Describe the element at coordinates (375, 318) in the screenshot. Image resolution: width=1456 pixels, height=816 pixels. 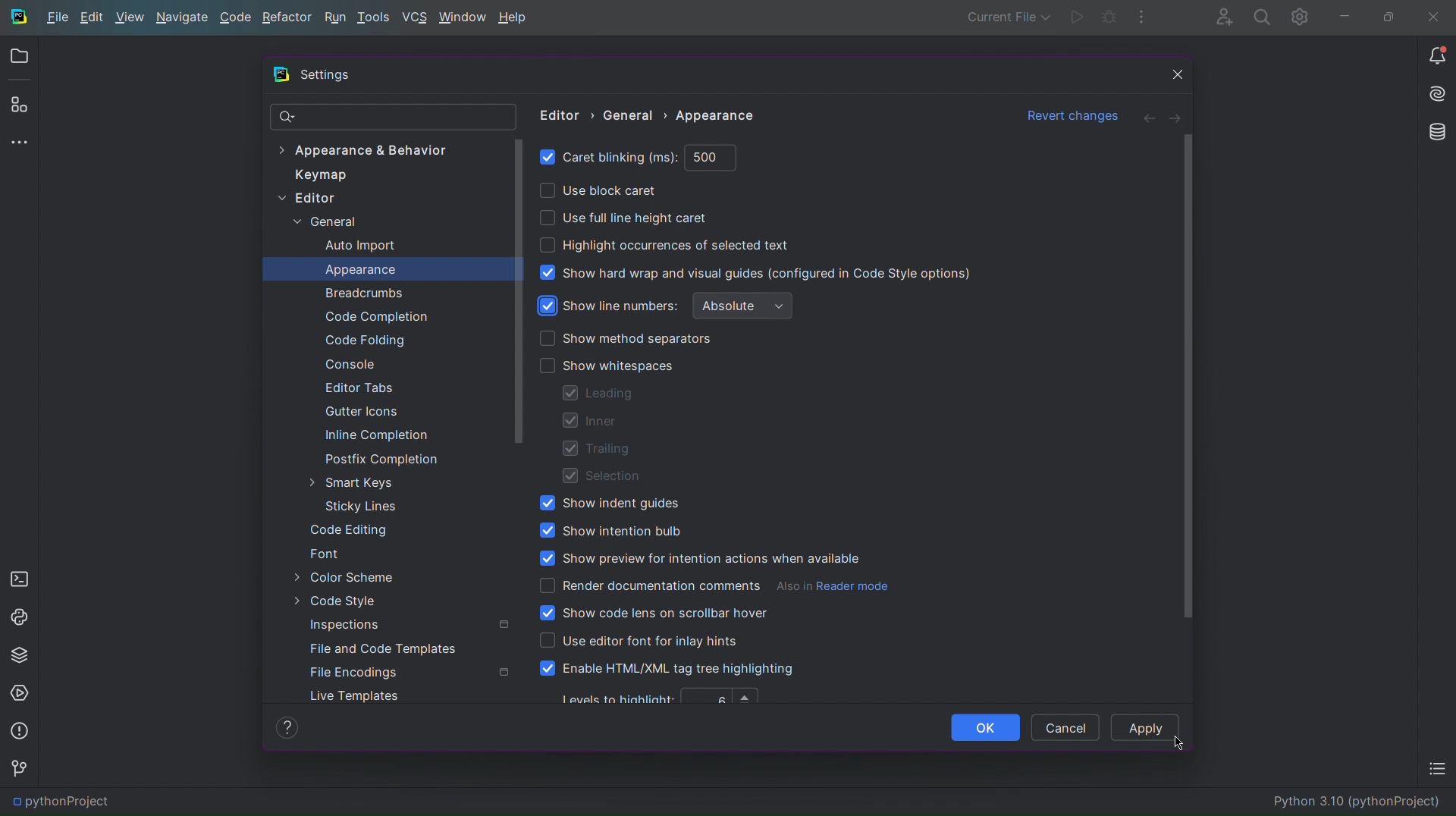
I see `Code Completion` at that location.